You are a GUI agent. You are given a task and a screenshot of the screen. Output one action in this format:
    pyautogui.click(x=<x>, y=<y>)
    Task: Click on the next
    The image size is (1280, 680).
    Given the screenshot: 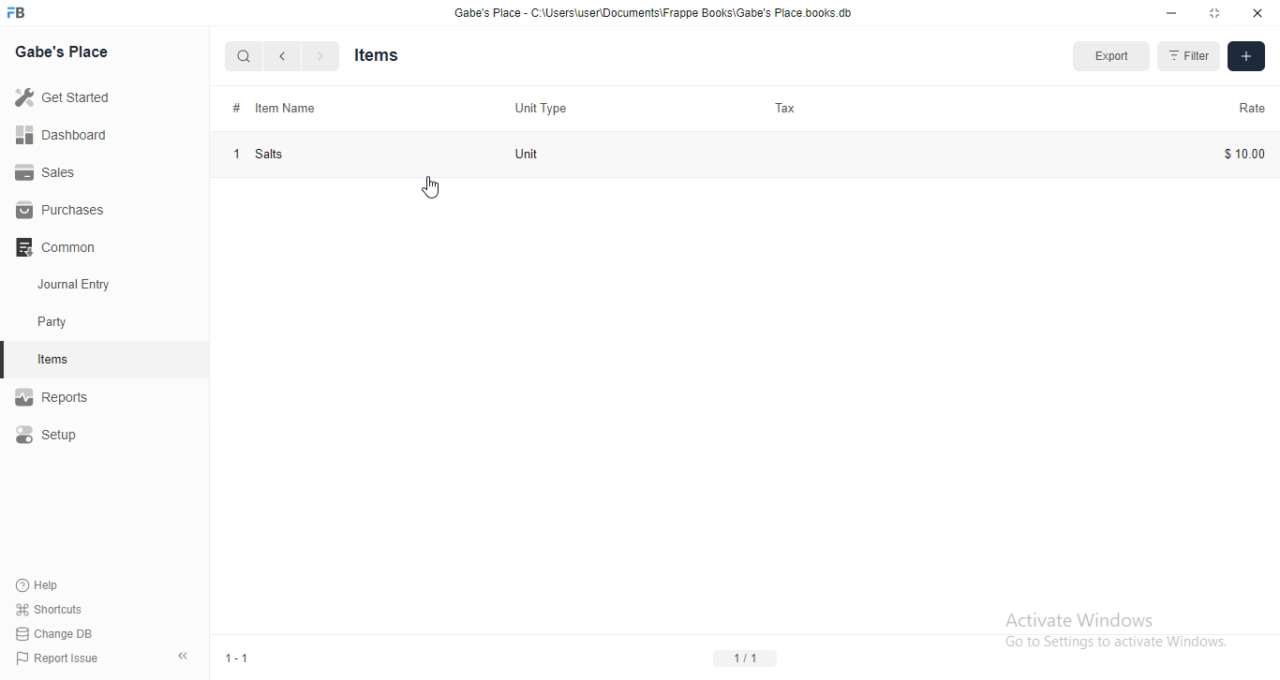 What is the action you would take?
    pyautogui.click(x=318, y=57)
    